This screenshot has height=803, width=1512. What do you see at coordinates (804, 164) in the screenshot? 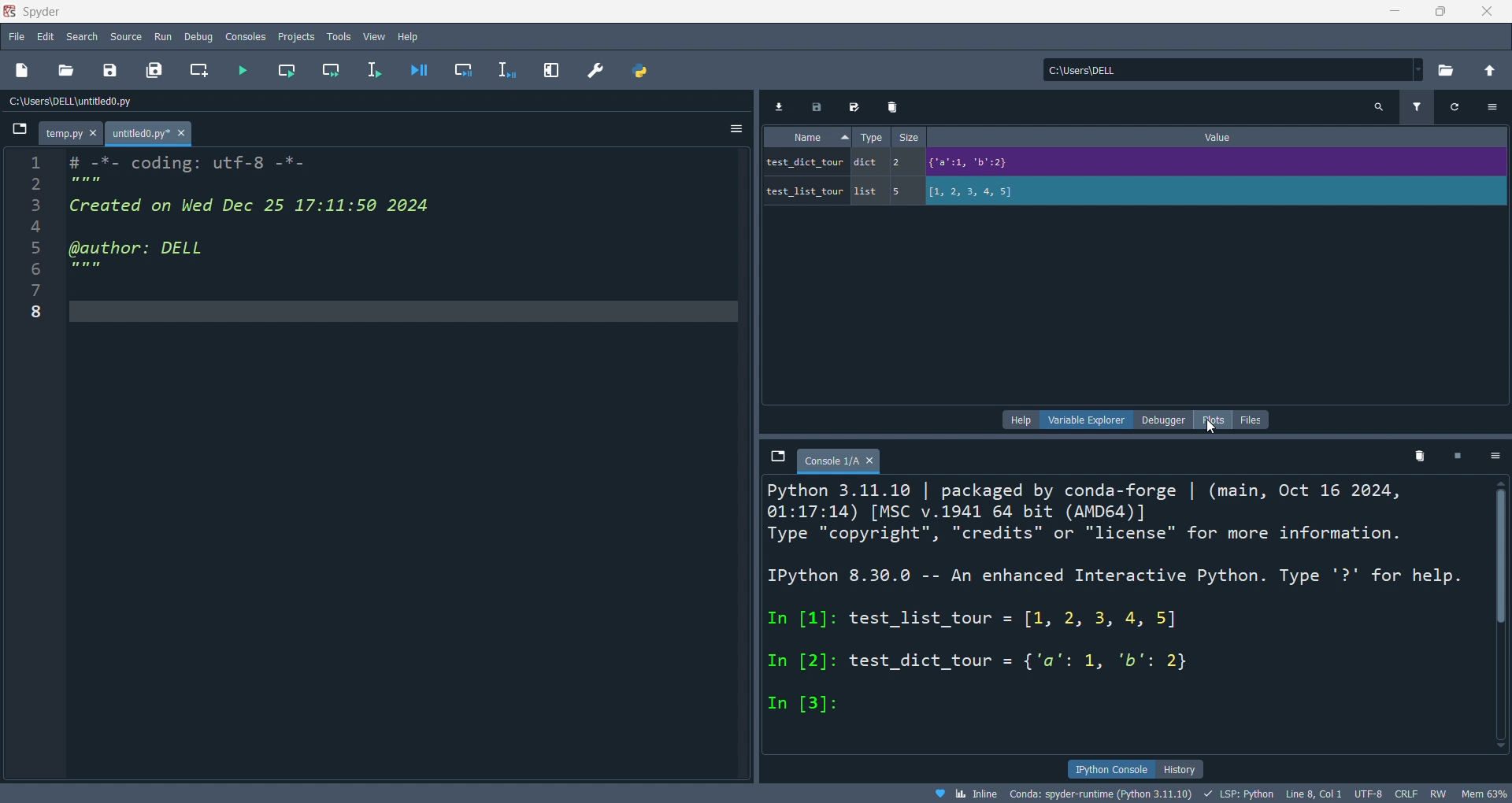
I see `variable` at bounding box center [804, 164].